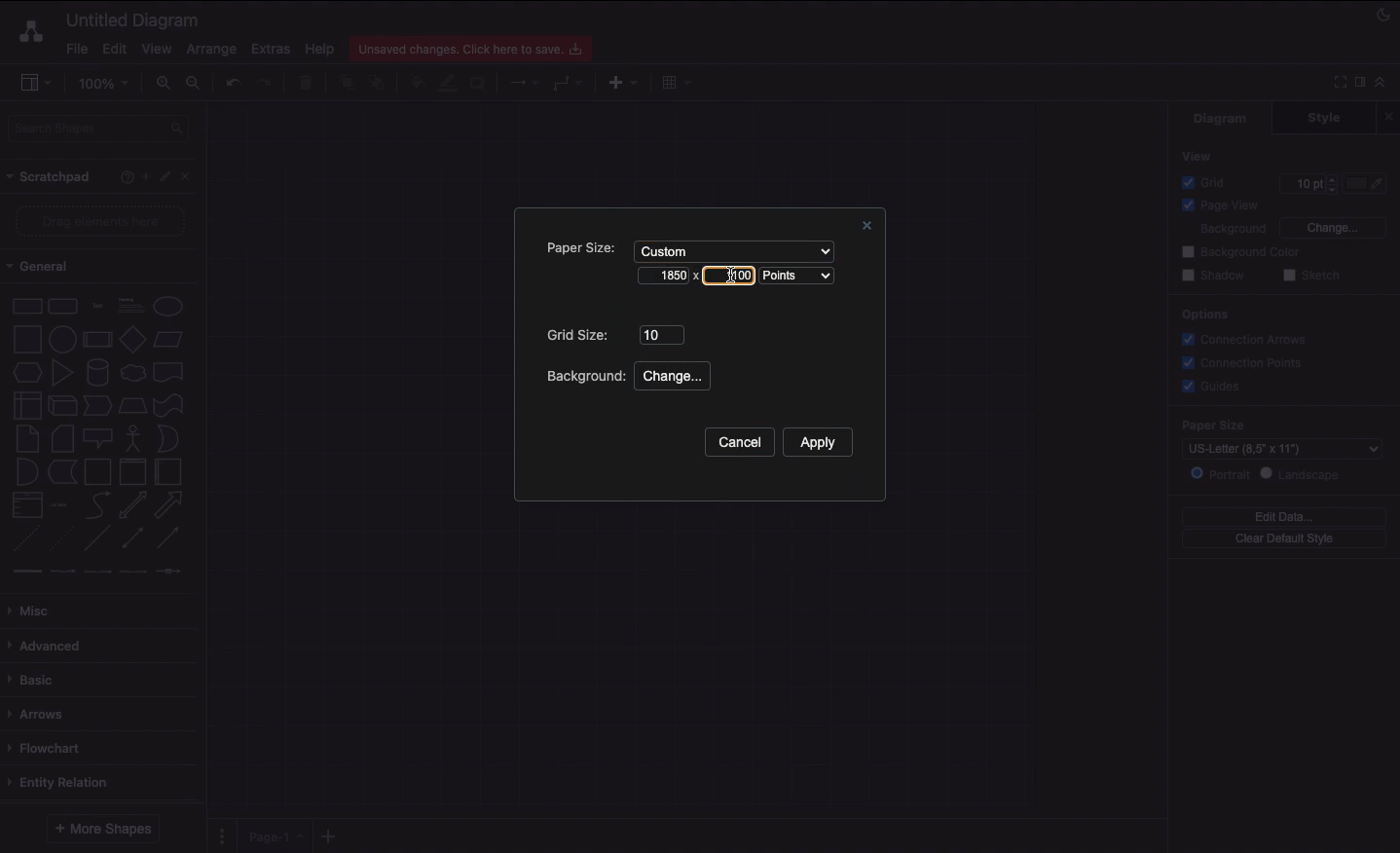 This screenshot has width=1400, height=853. I want to click on View, so click(1198, 155).